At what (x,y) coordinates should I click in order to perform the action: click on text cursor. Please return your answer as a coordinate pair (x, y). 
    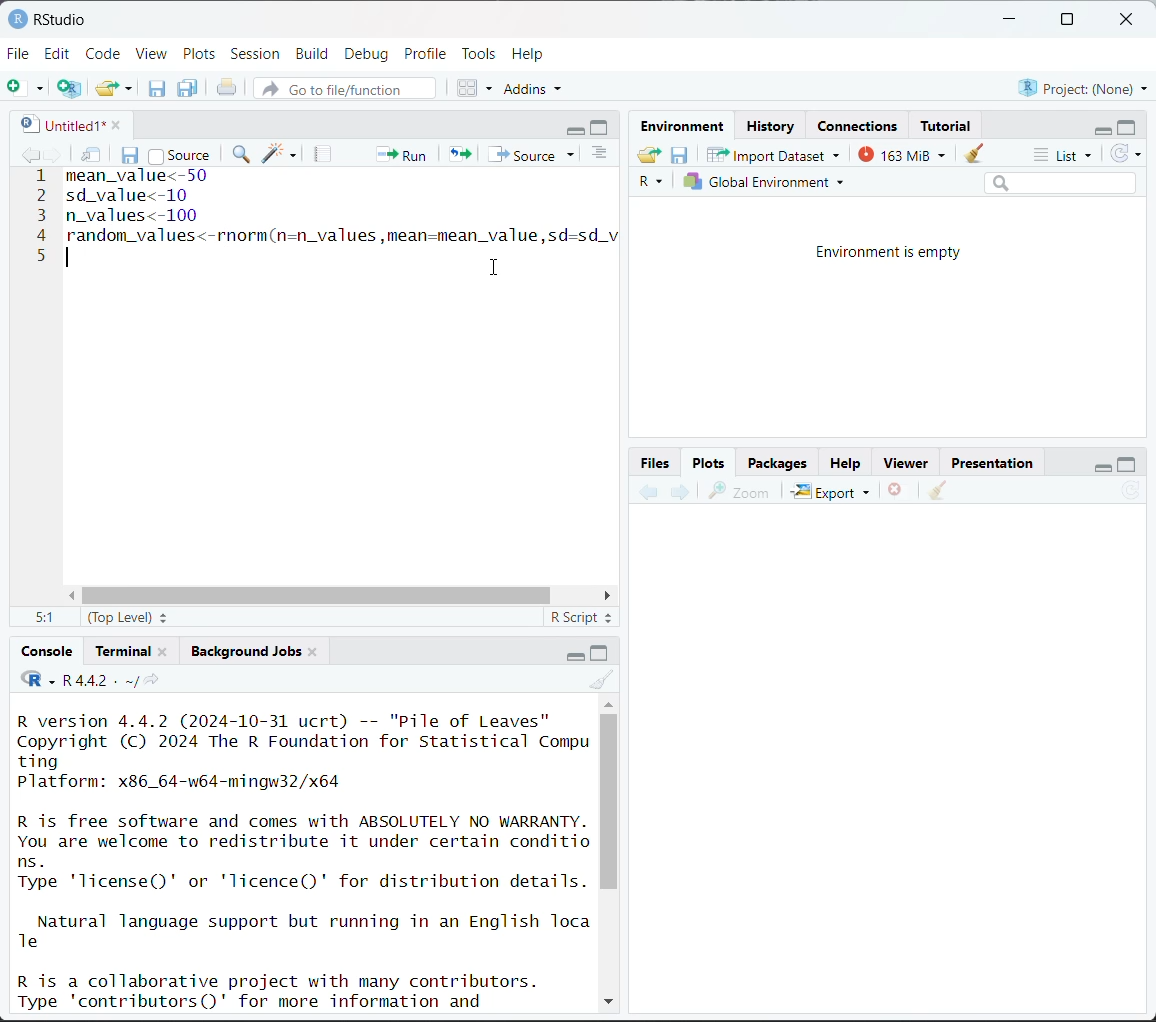
    Looking at the image, I should click on (69, 261).